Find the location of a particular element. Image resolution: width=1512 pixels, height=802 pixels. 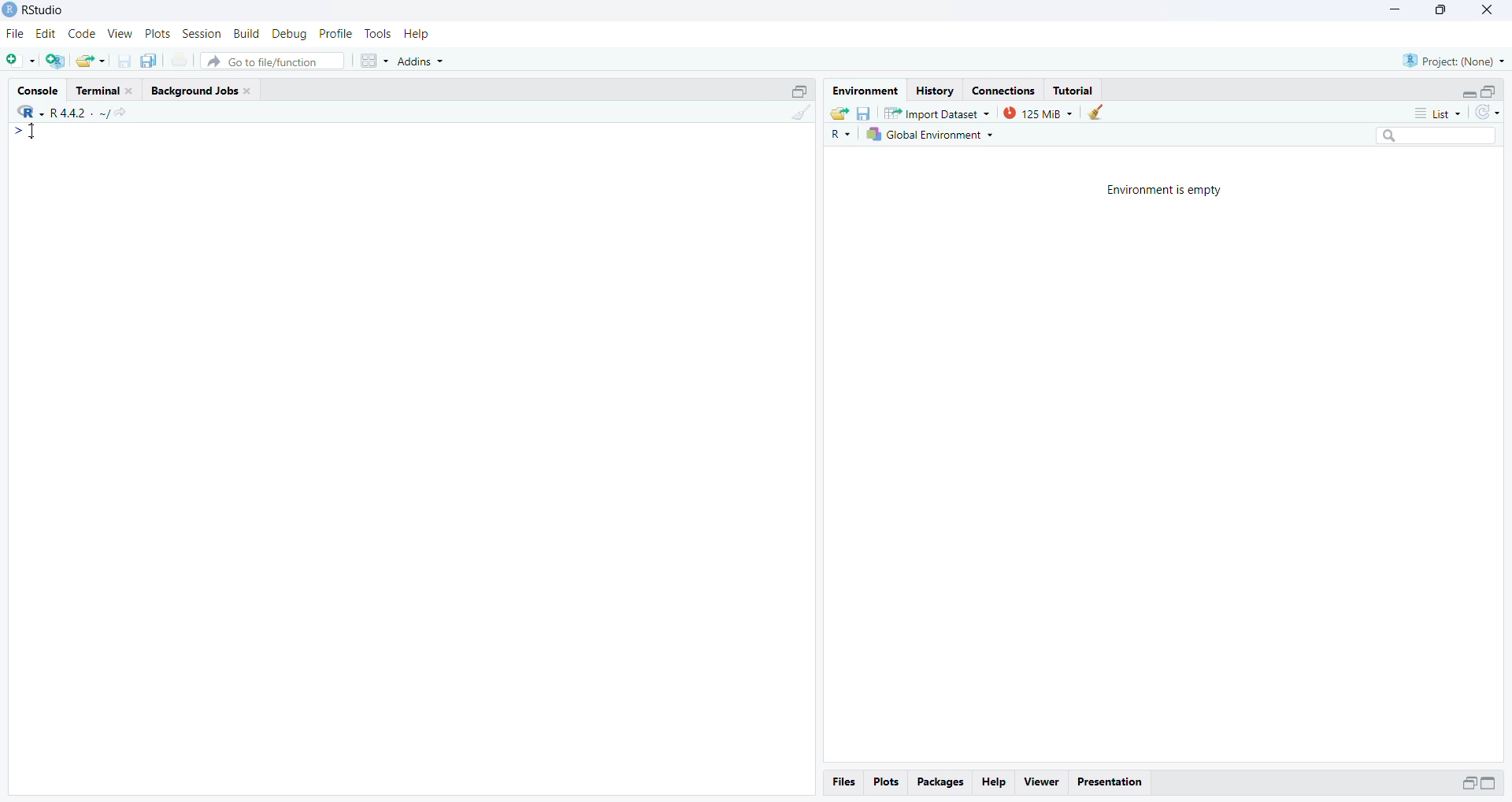

File is located at coordinates (17, 33).